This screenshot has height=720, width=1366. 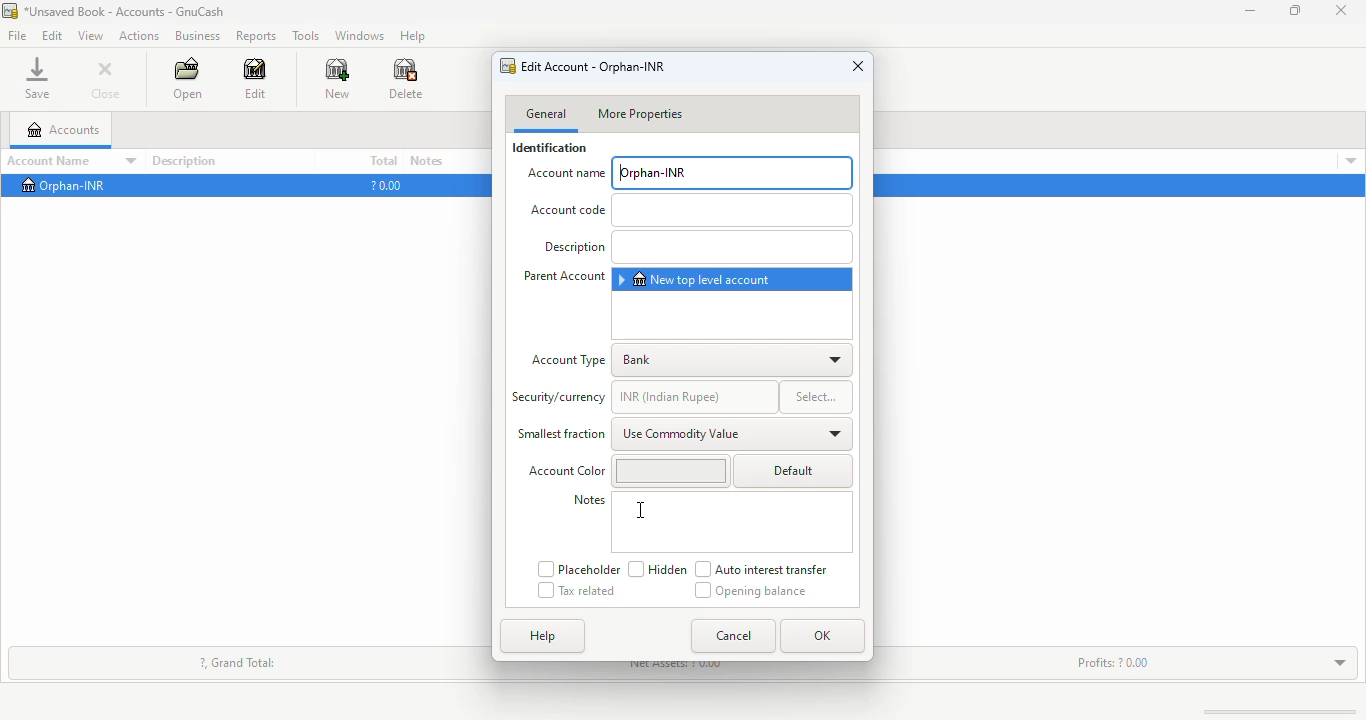 I want to click on close, so click(x=105, y=80).